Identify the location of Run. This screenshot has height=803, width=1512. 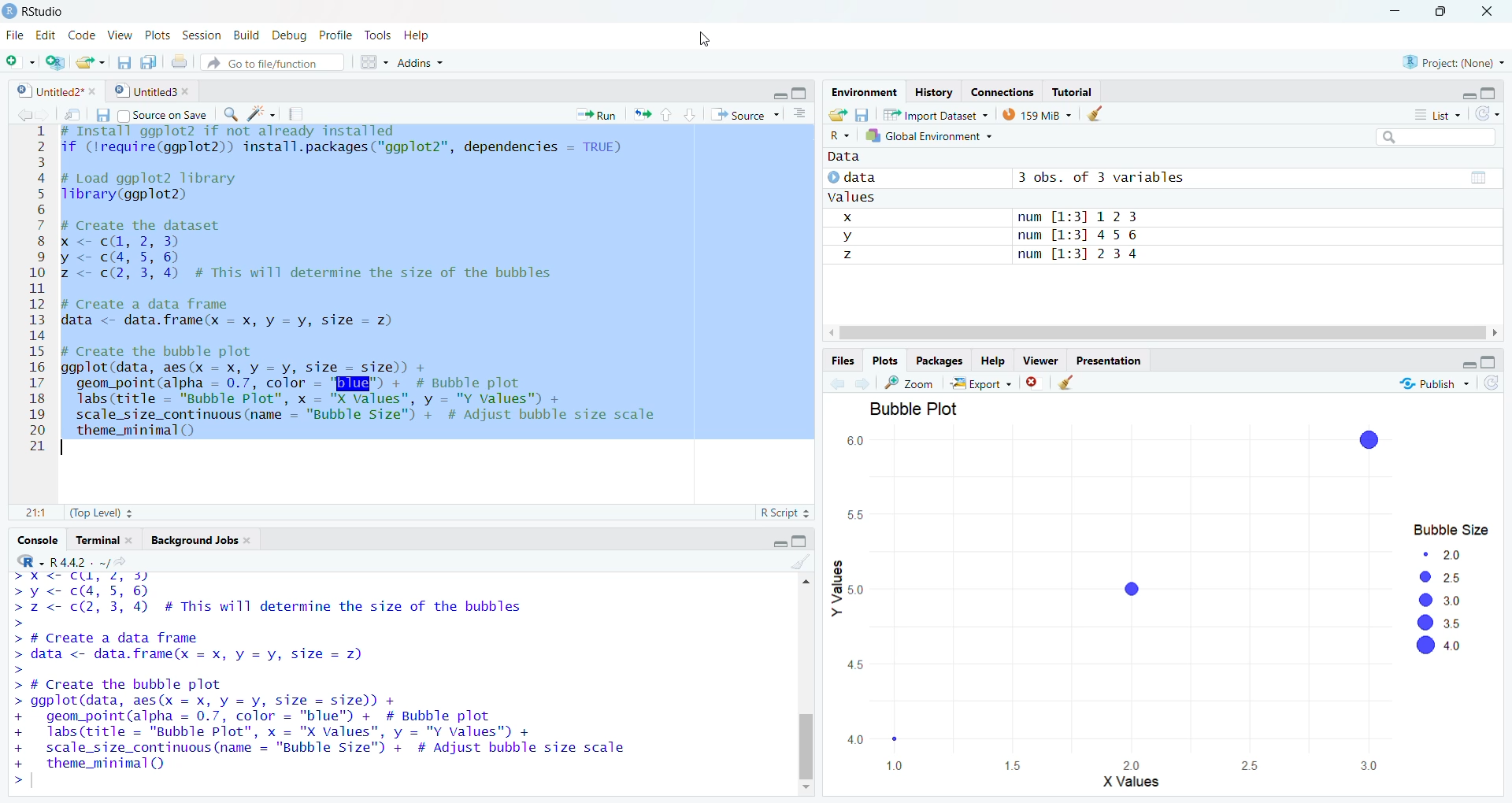
(589, 113).